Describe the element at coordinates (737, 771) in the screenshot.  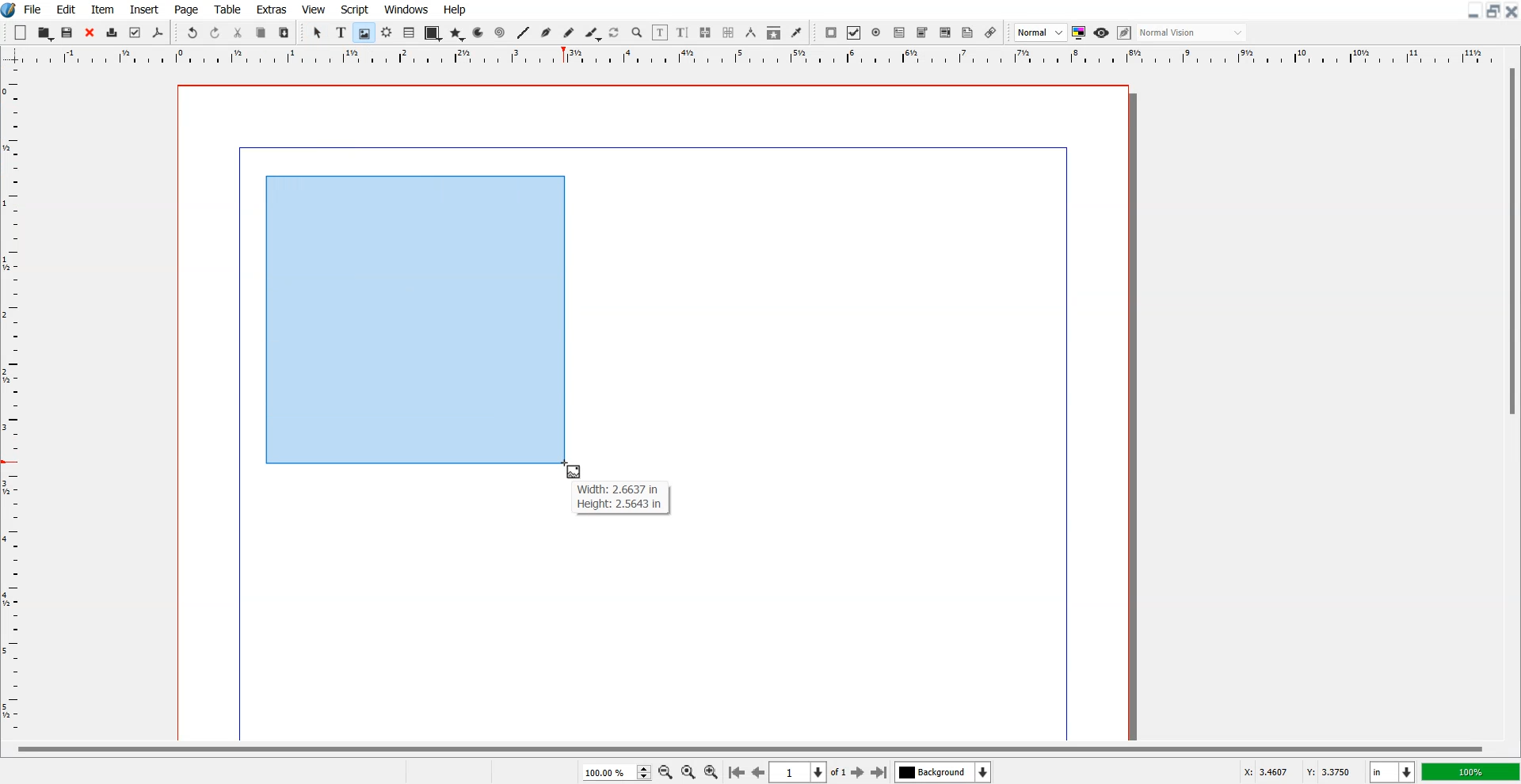
I see `Go to First page` at that location.